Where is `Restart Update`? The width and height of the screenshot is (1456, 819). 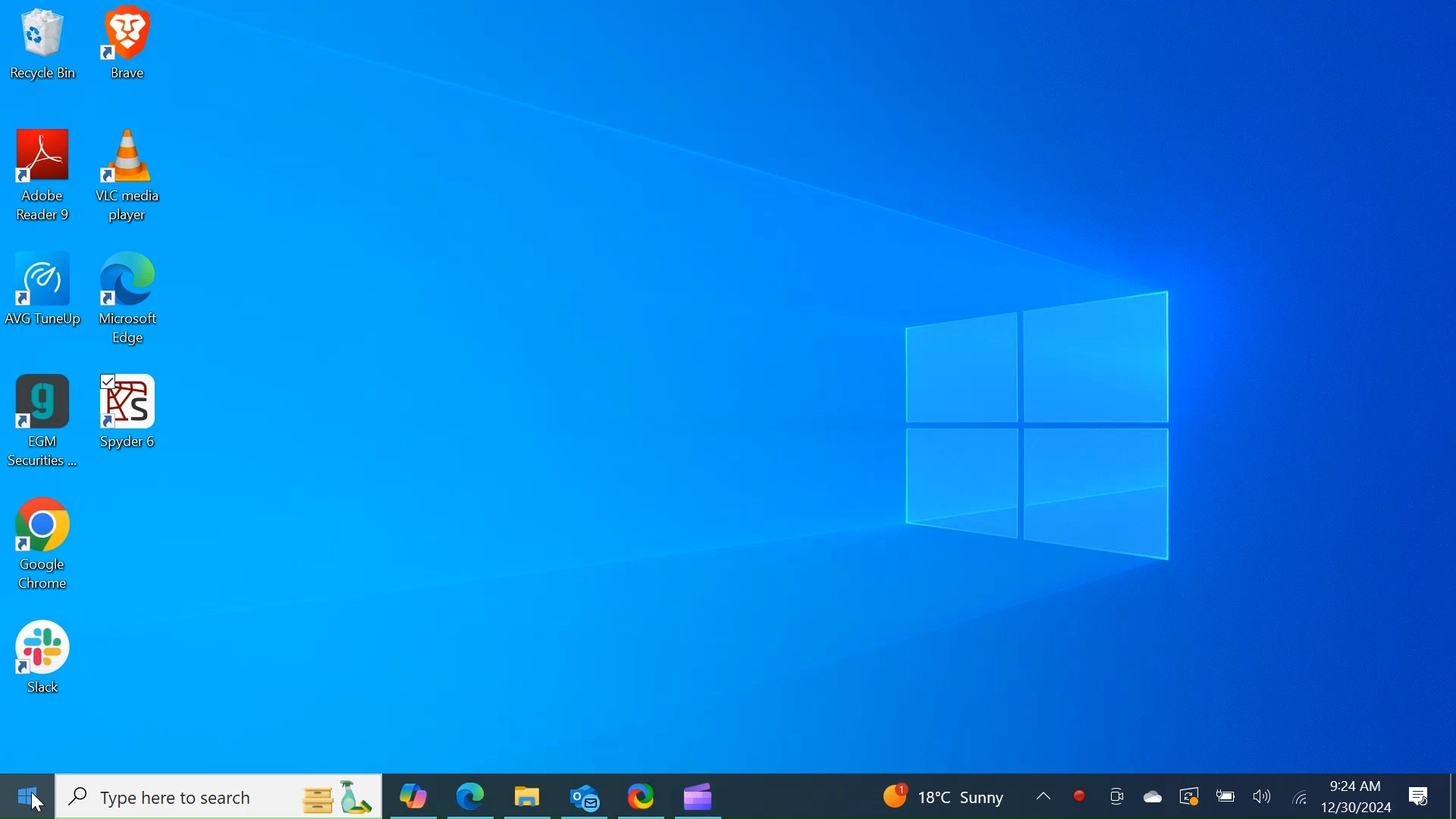
Restart Update is located at coordinates (1190, 794).